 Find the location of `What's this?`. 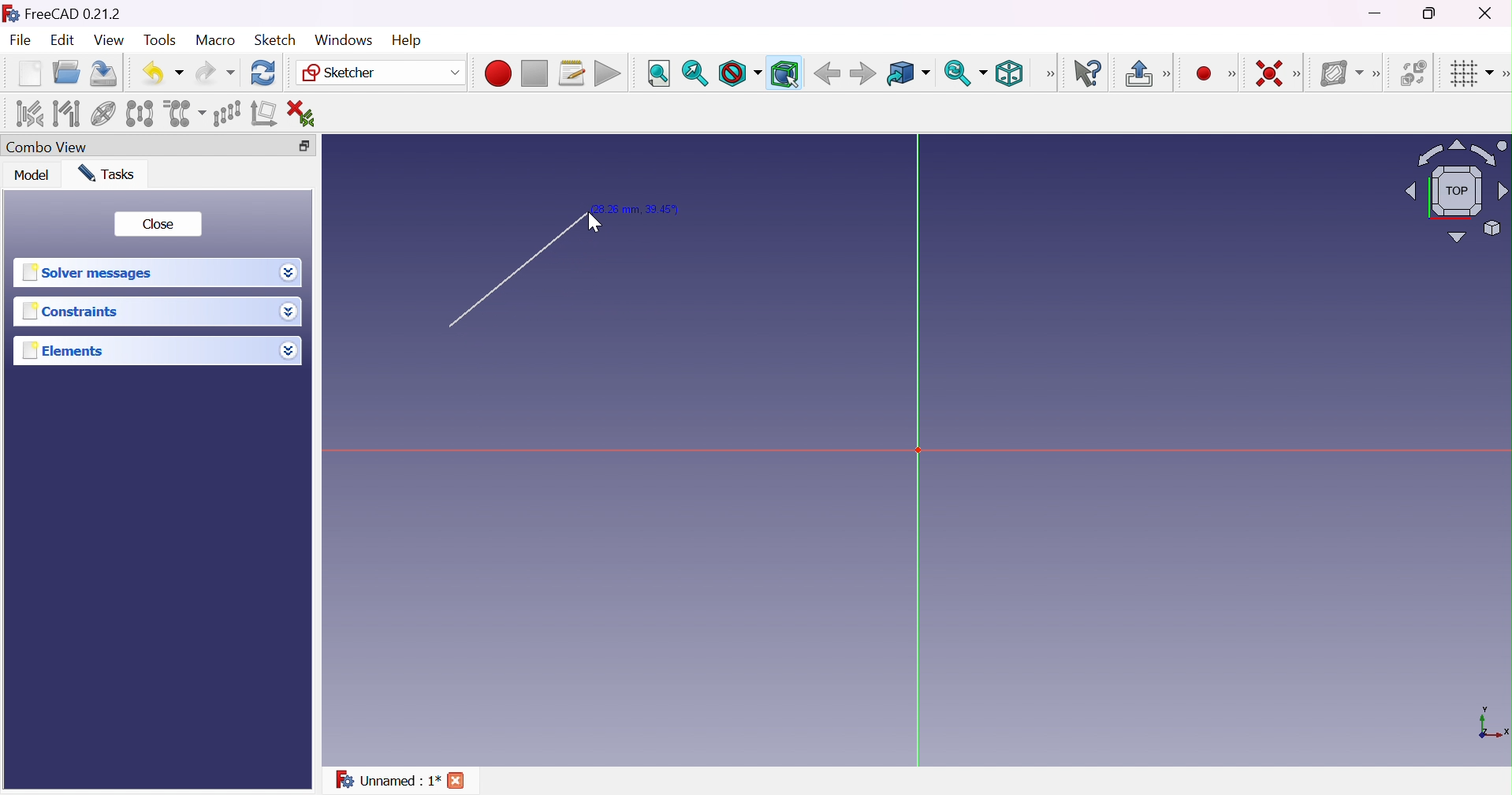

What's this? is located at coordinates (1091, 74).